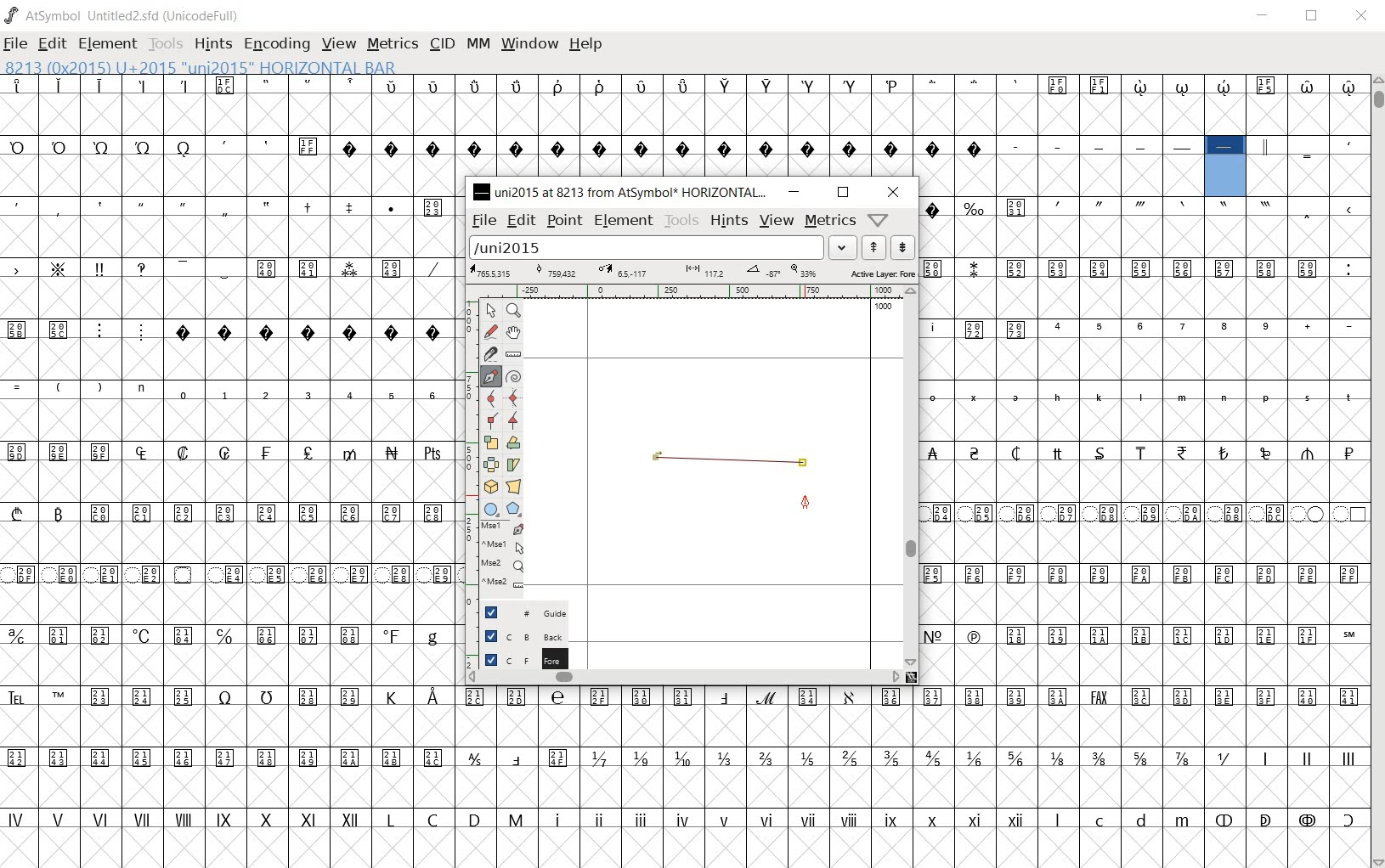  What do you see at coordinates (625, 220) in the screenshot?
I see `element` at bounding box center [625, 220].